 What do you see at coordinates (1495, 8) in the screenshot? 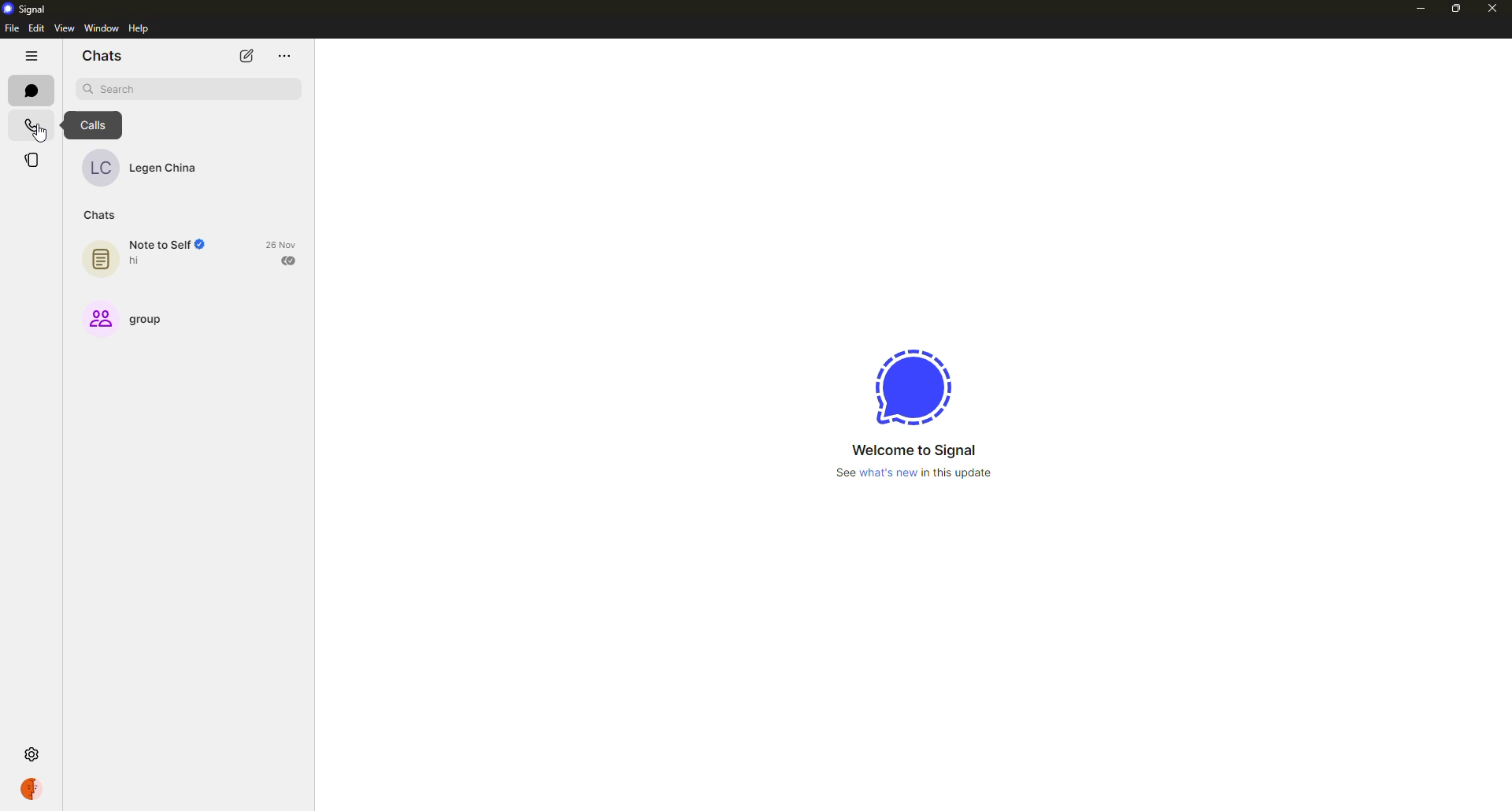
I see `close` at bounding box center [1495, 8].